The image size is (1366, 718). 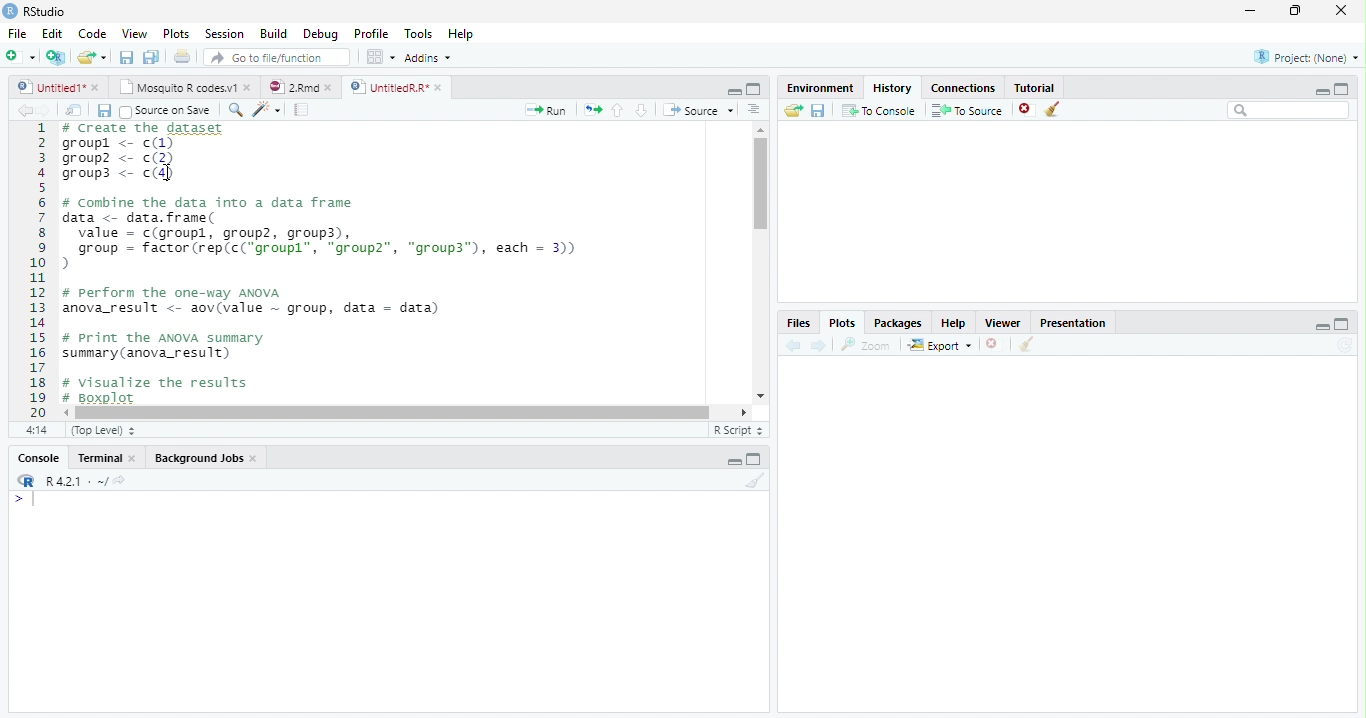 What do you see at coordinates (128, 58) in the screenshot?
I see `Save` at bounding box center [128, 58].